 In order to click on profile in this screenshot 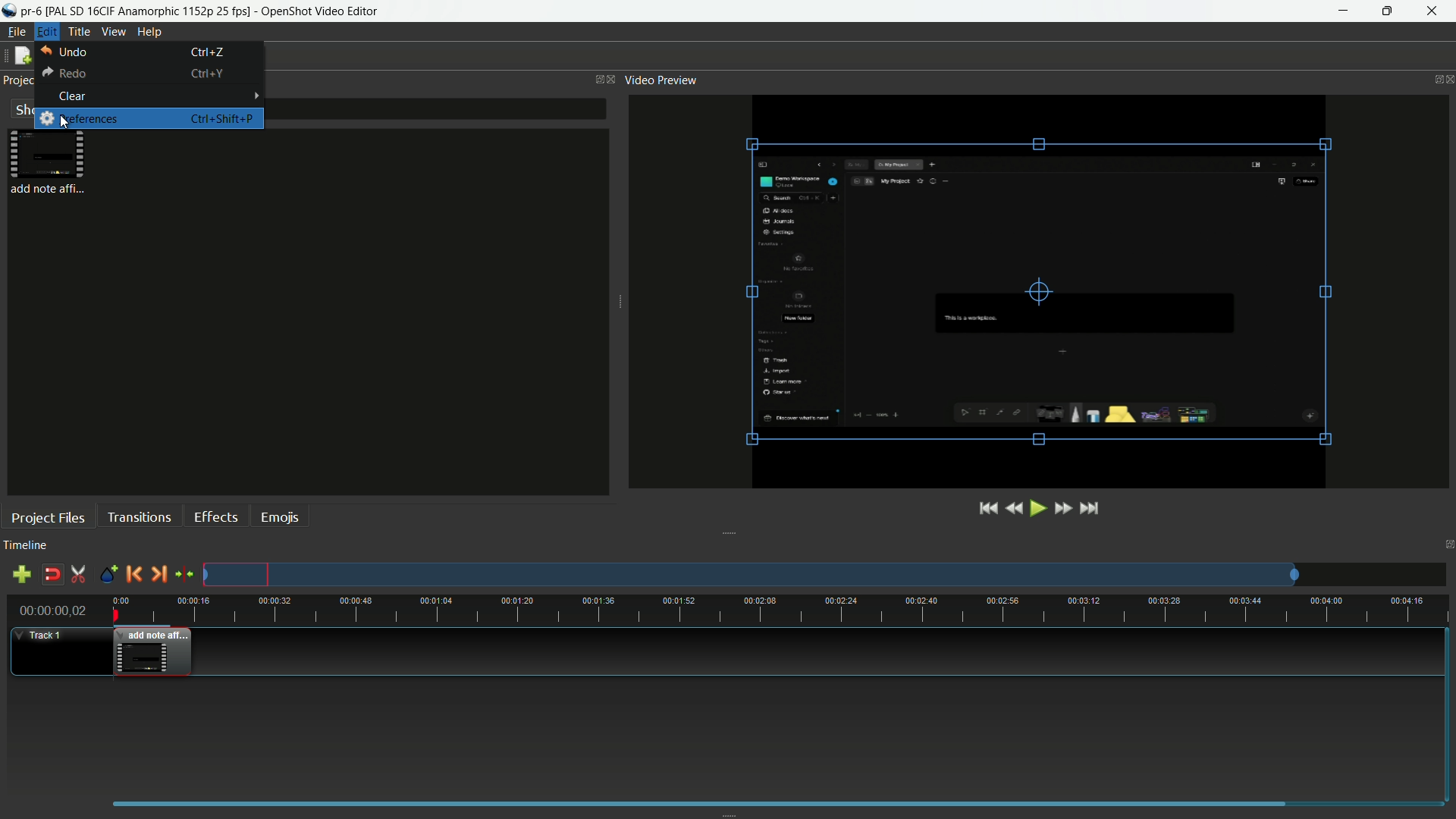, I will do `click(149, 11)`.